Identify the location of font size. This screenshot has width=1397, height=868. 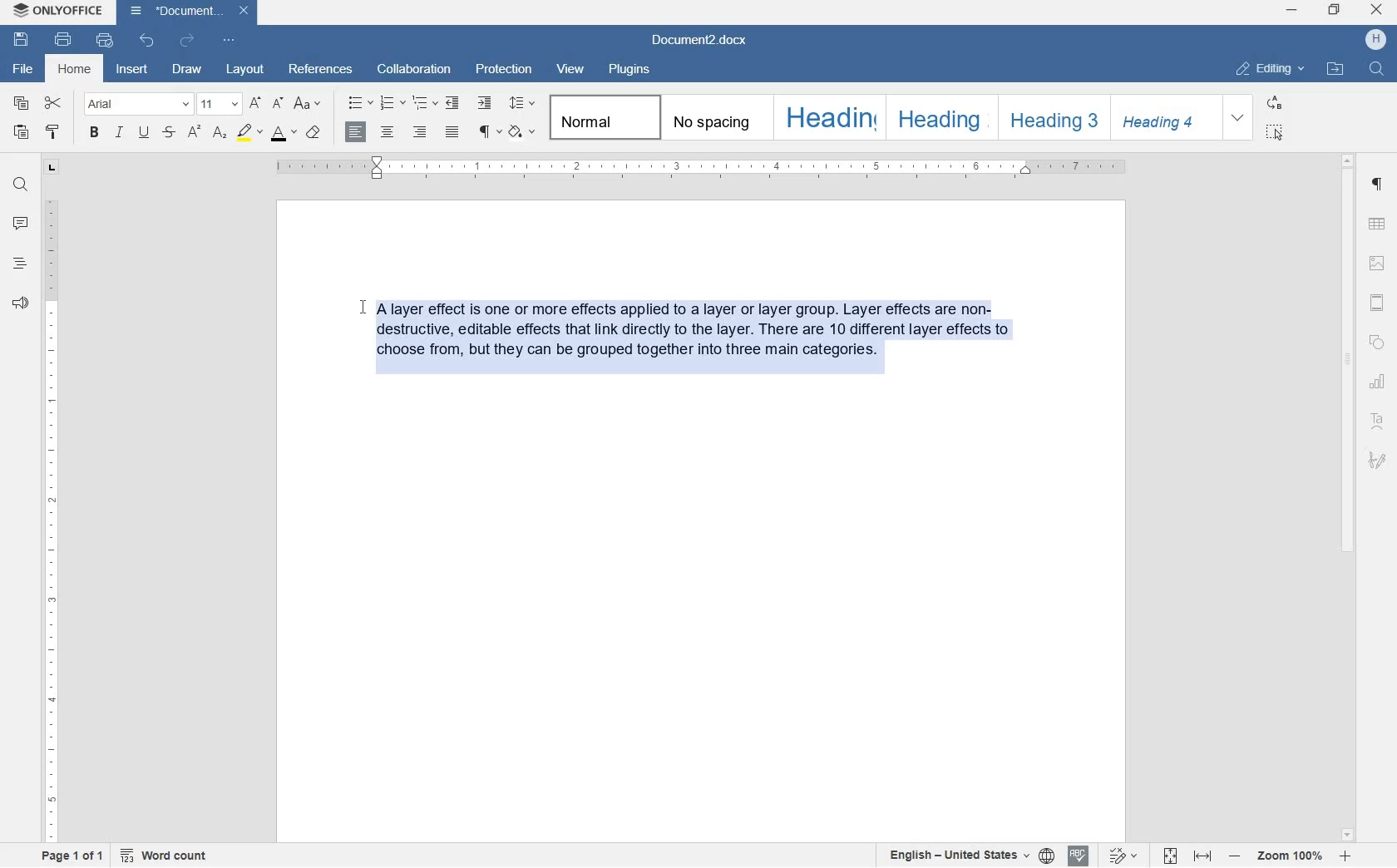
(220, 104).